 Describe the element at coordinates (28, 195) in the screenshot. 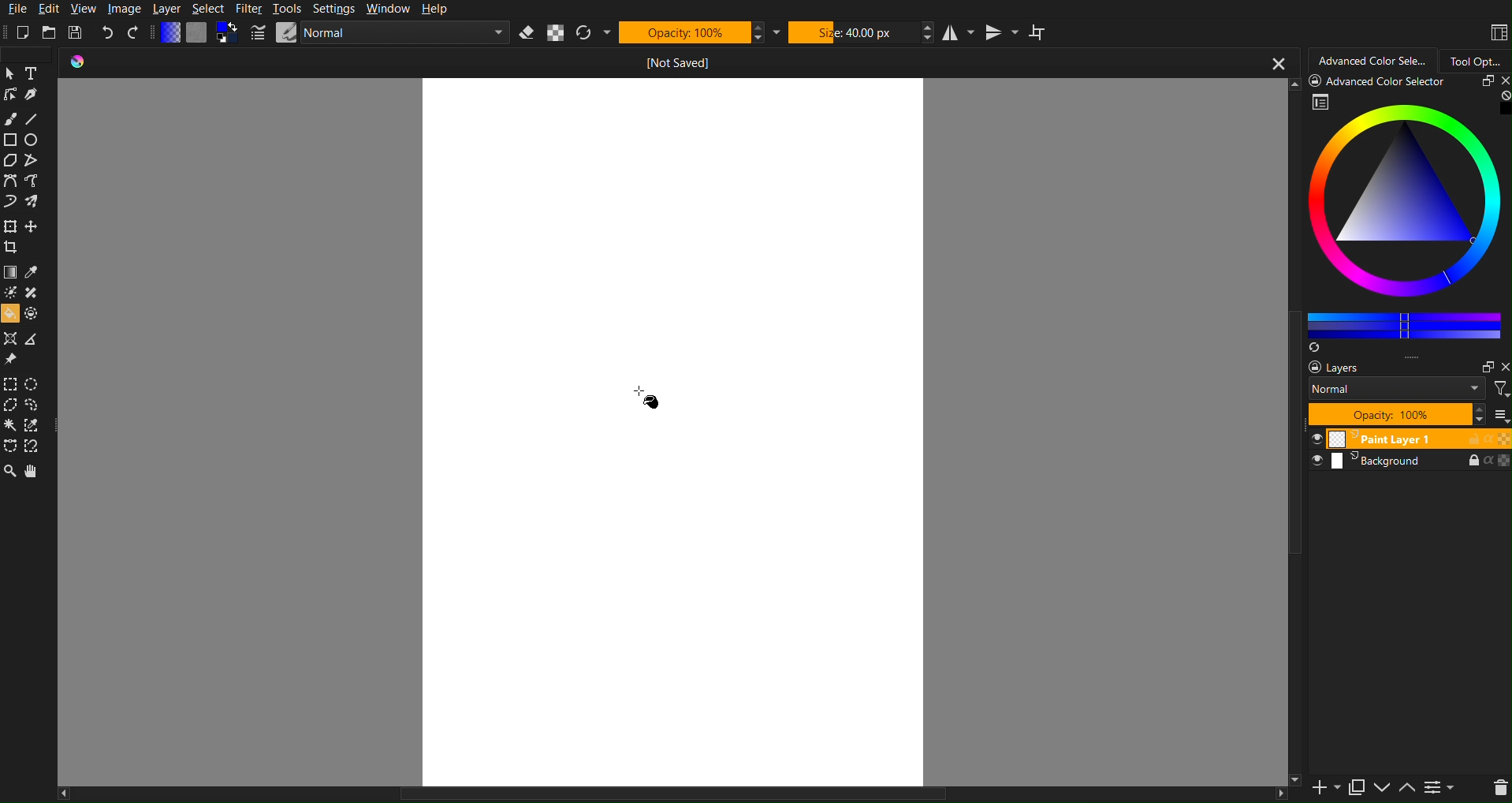

I see `Curve Tools` at that location.